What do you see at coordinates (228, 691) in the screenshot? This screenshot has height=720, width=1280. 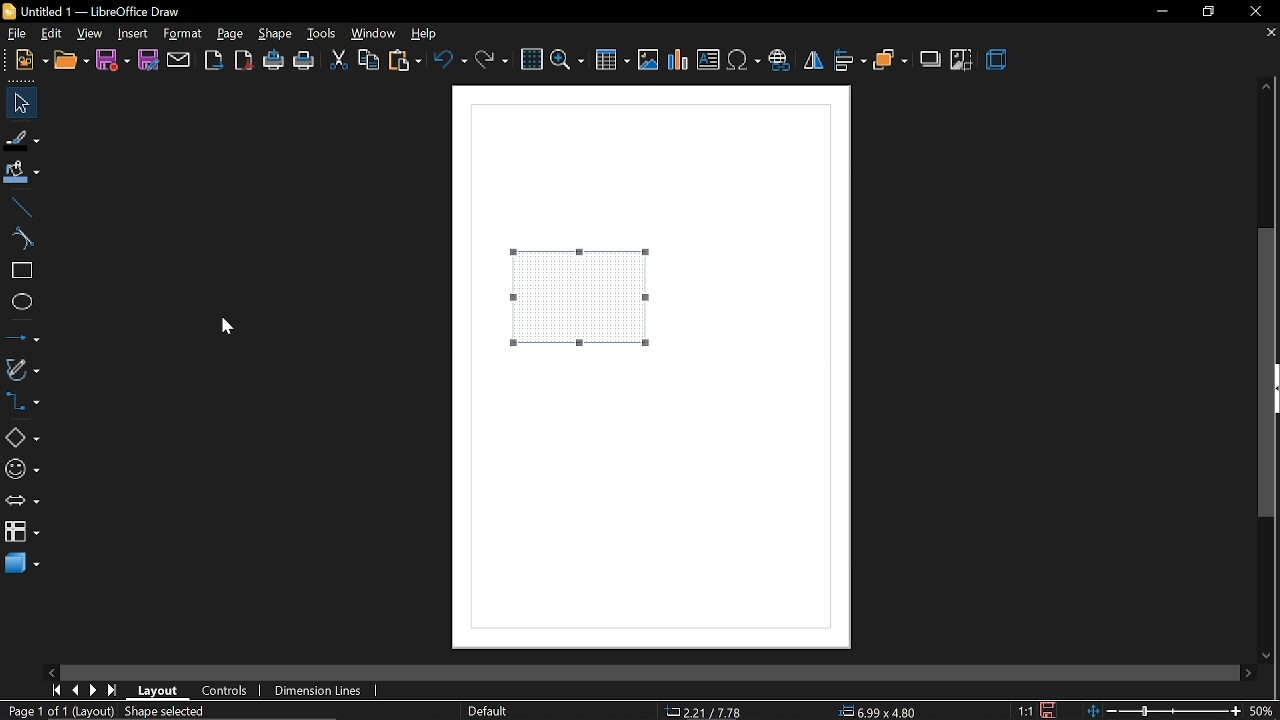 I see `conttrols` at bounding box center [228, 691].